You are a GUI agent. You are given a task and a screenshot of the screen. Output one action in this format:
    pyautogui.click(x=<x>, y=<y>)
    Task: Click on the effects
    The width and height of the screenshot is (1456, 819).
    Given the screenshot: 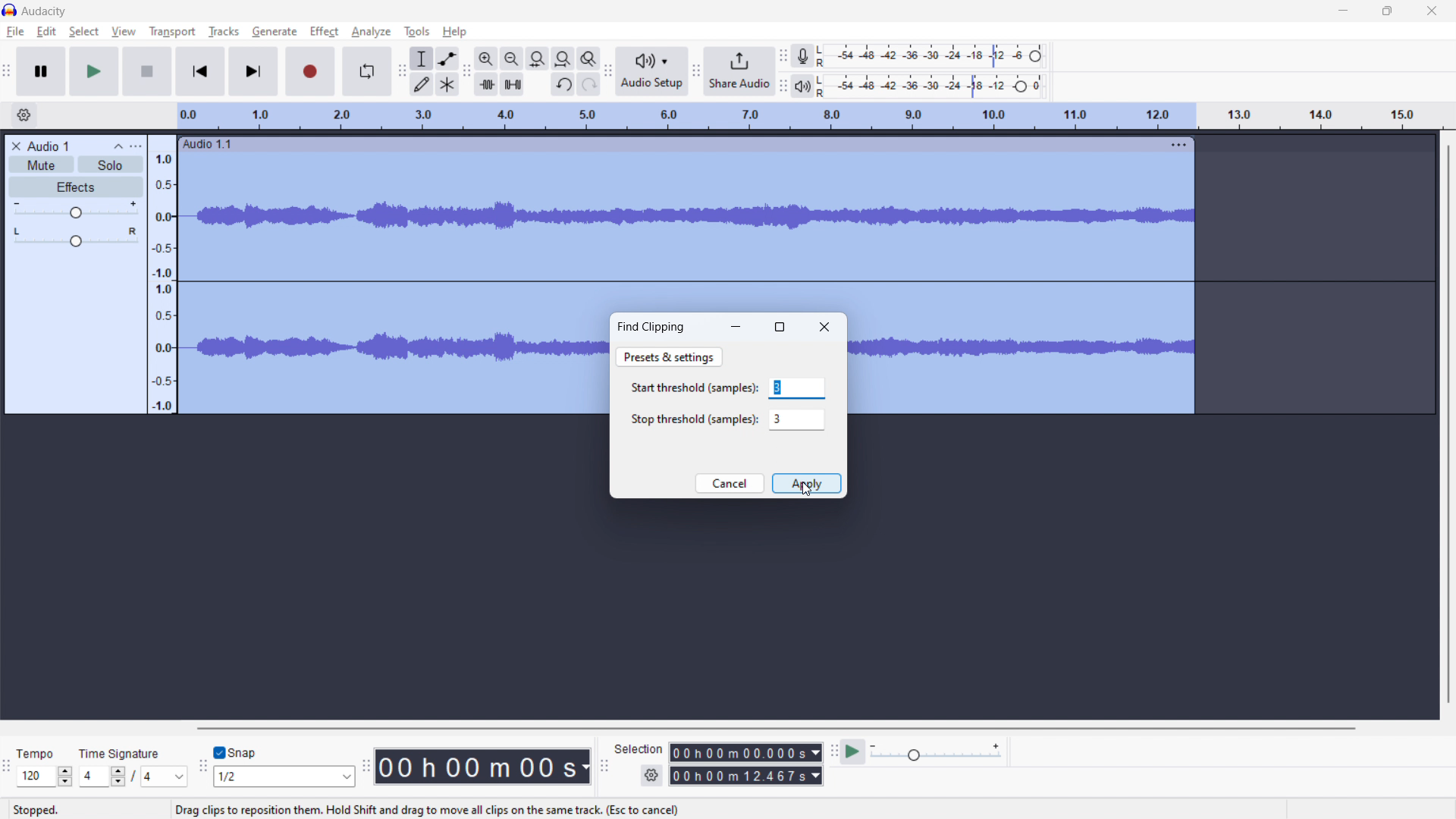 What is the action you would take?
    pyautogui.click(x=75, y=187)
    